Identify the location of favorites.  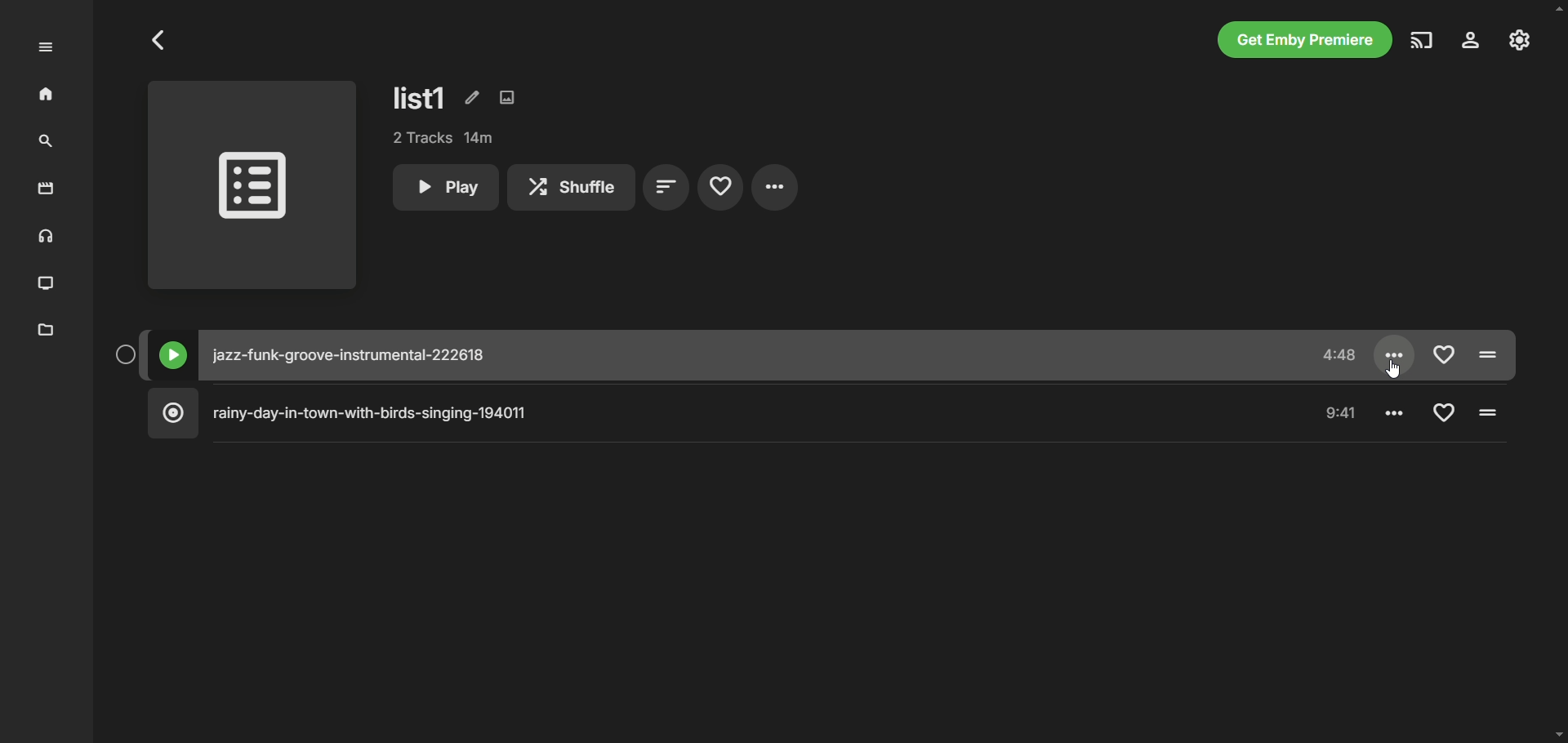
(719, 188).